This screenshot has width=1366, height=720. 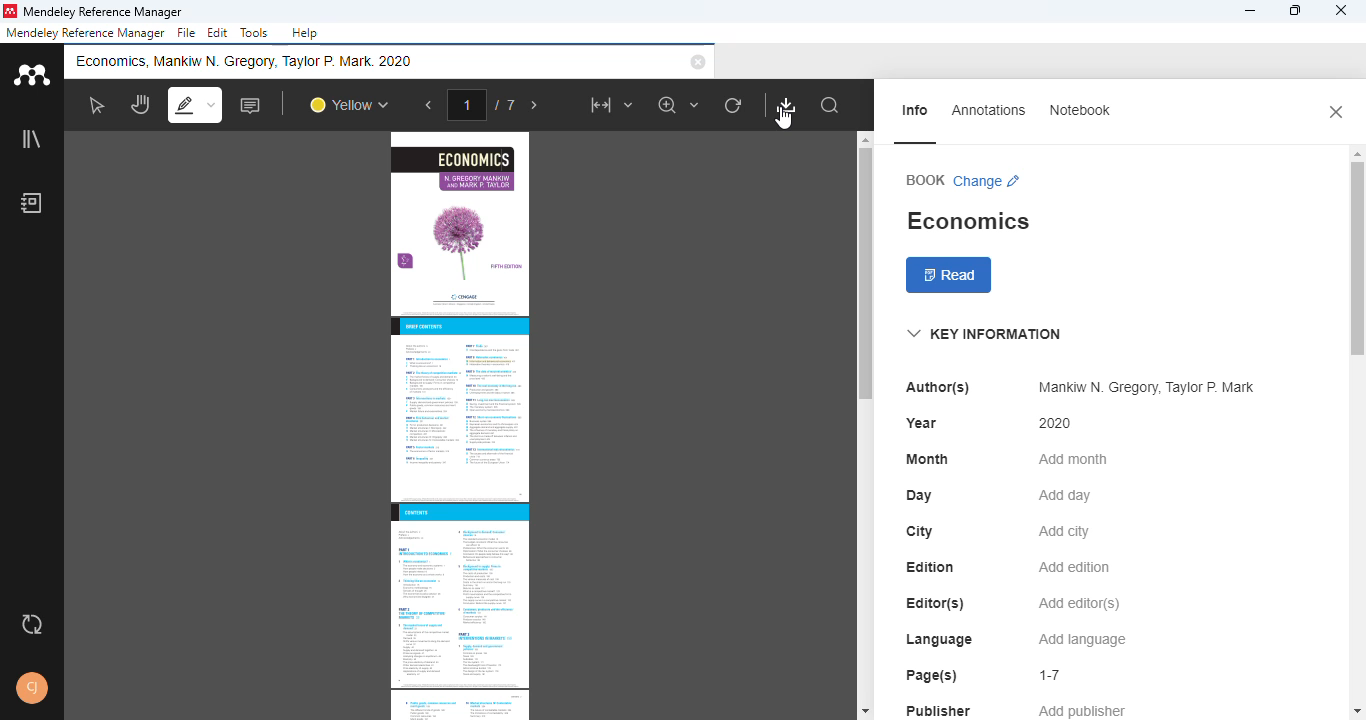 I want to click on sync, so click(x=32, y=626).